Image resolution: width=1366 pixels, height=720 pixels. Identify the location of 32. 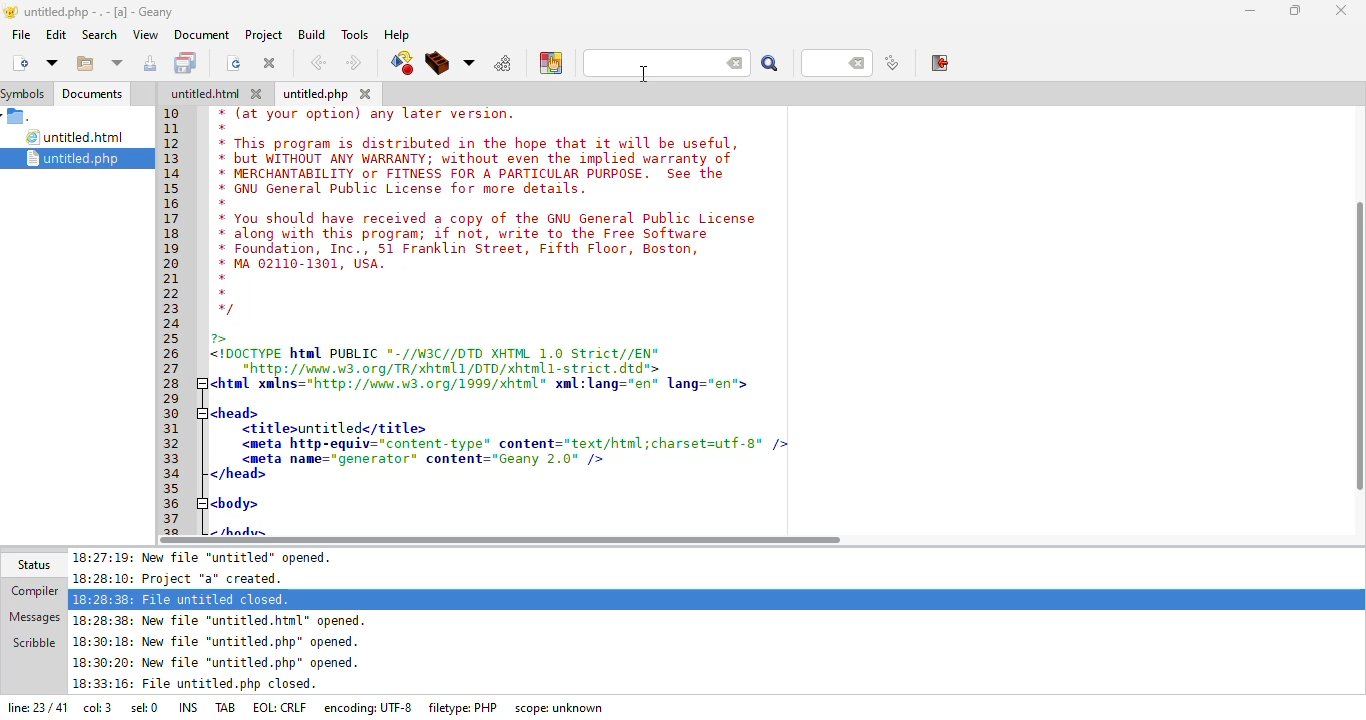
(174, 443).